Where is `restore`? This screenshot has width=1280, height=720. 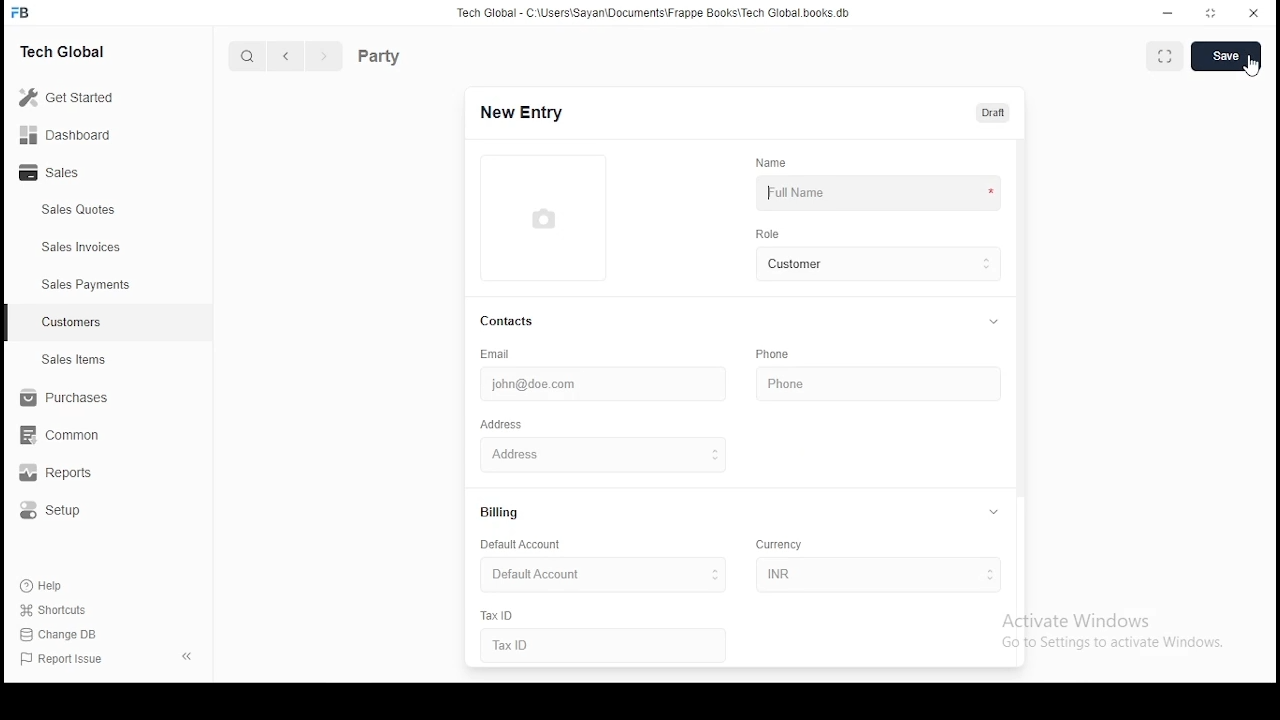
restore is located at coordinates (1211, 12).